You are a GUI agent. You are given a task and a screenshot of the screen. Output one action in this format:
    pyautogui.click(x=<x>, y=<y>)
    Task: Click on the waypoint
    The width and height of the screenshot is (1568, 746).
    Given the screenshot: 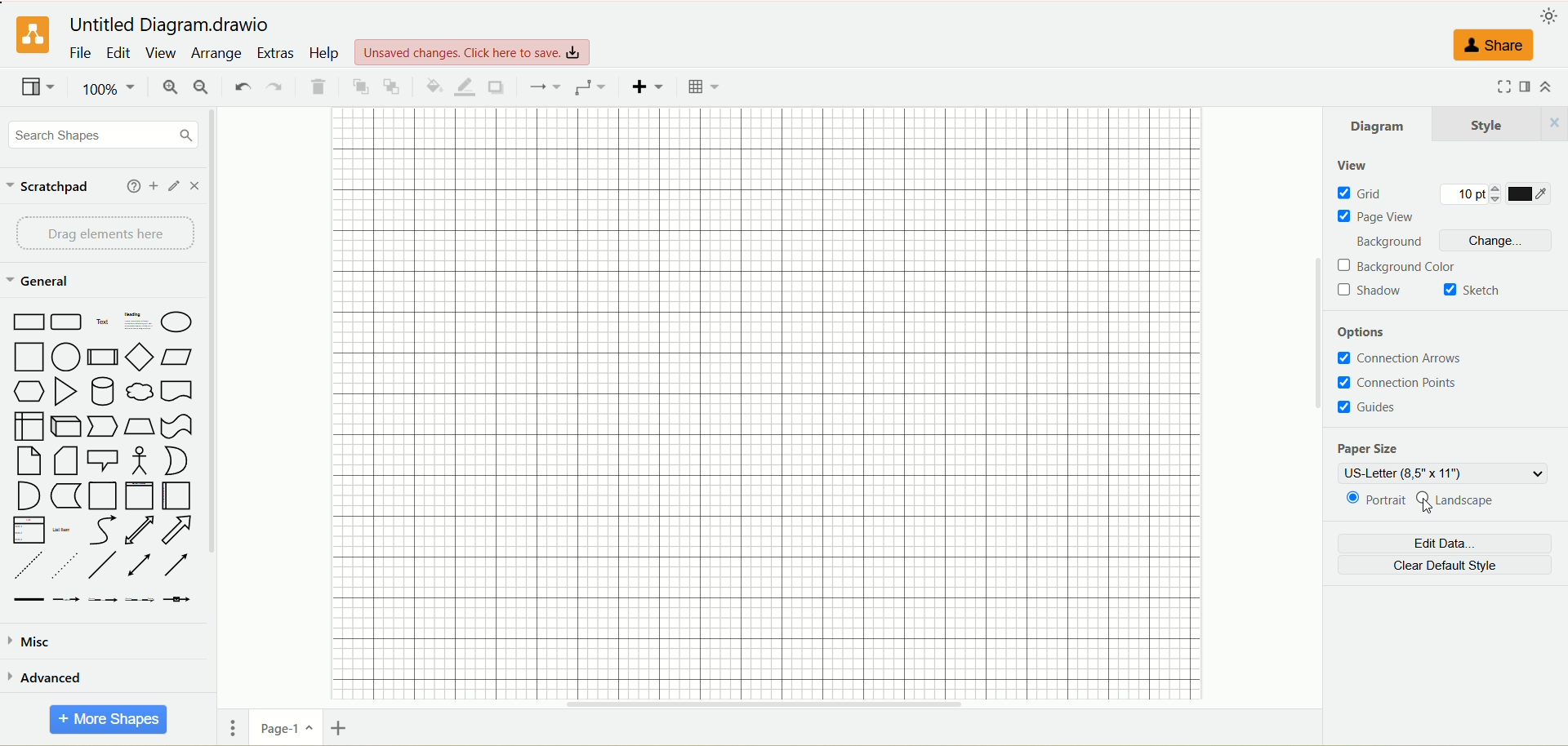 What is the action you would take?
    pyautogui.click(x=592, y=87)
    